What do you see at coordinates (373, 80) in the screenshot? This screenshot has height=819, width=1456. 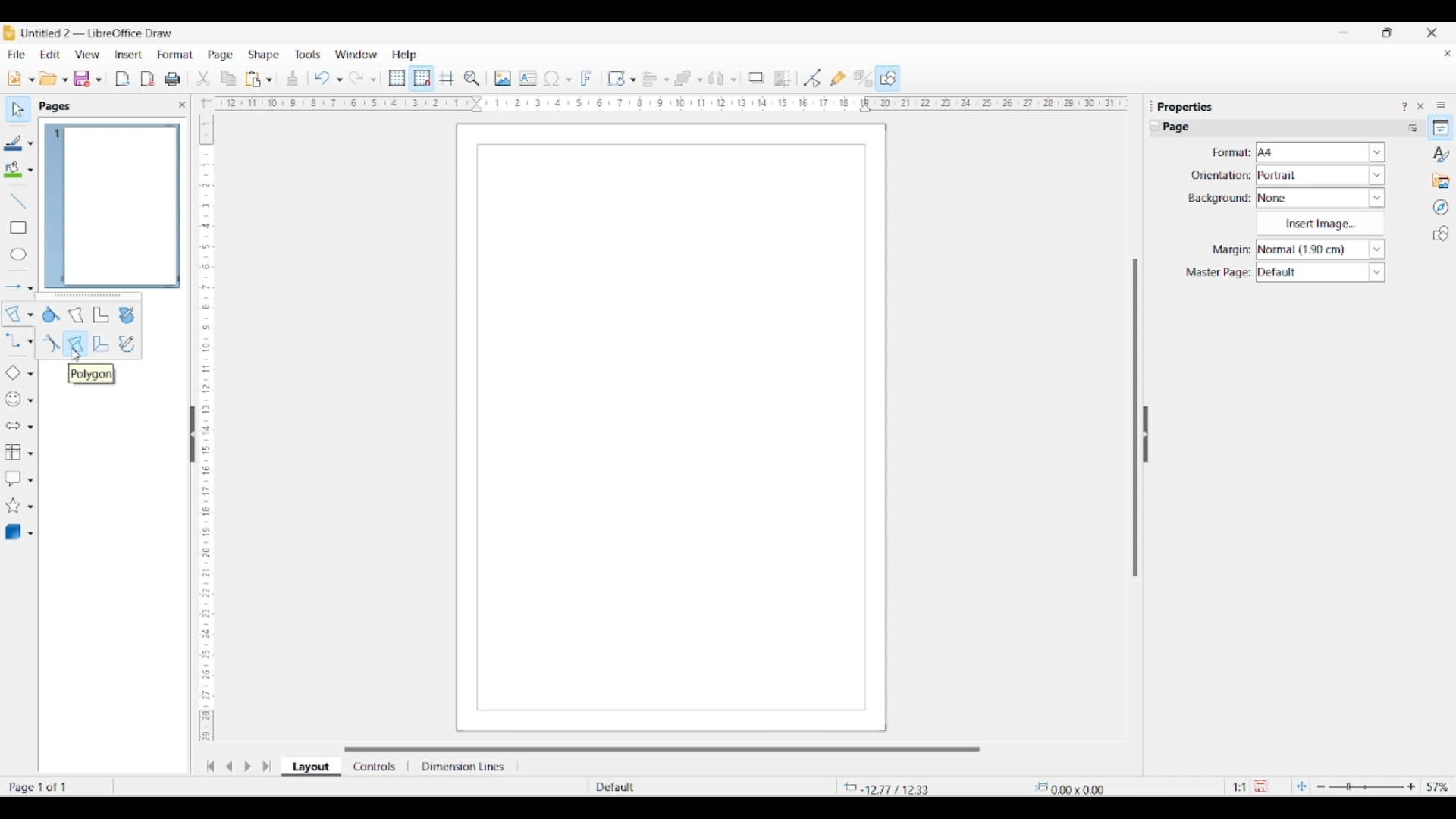 I see `Redo specific actions` at bounding box center [373, 80].